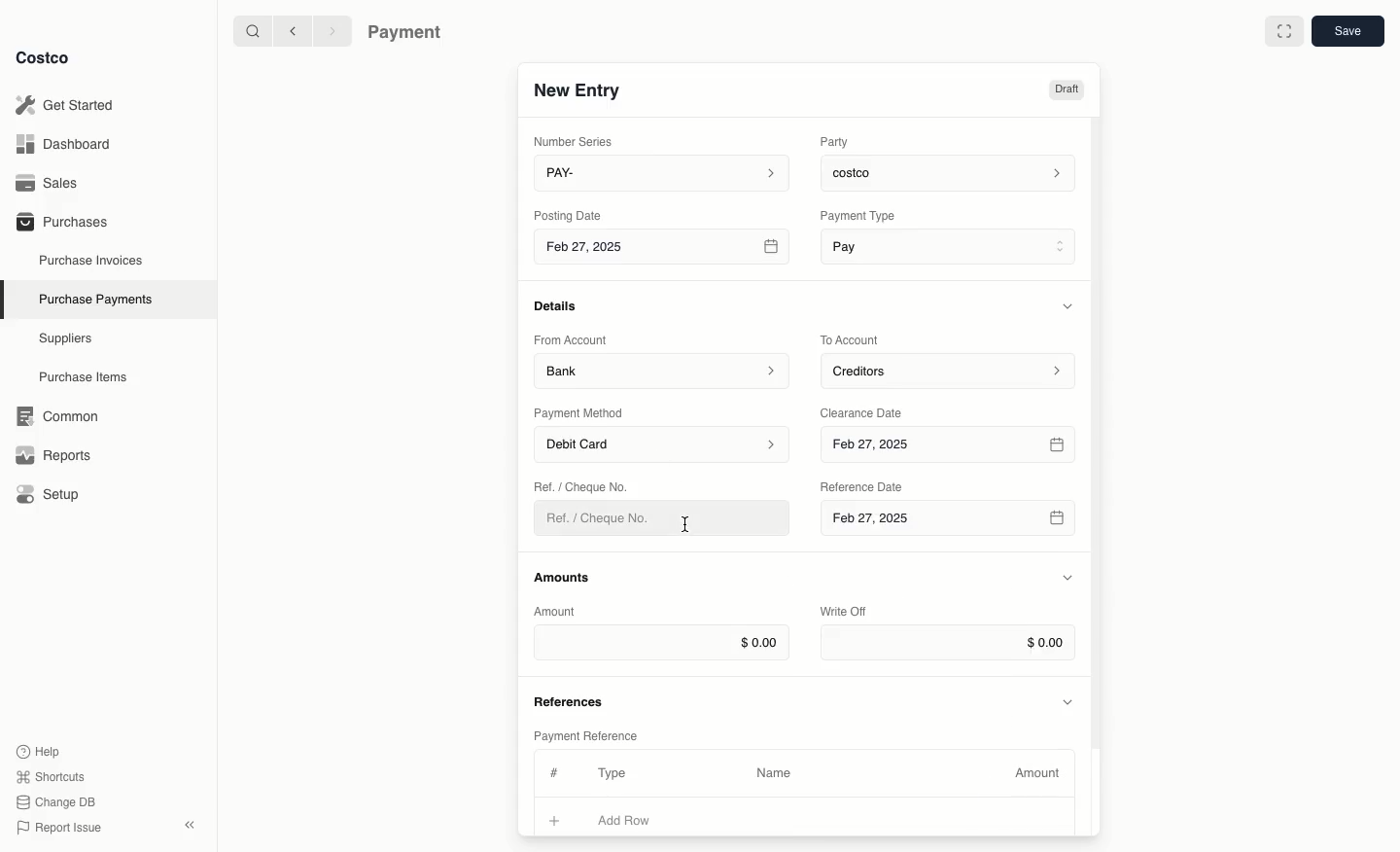 The image size is (1400, 852). What do you see at coordinates (1067, 579) in the screenshot?
I see `Hide` at bounding box center [1067, 579].